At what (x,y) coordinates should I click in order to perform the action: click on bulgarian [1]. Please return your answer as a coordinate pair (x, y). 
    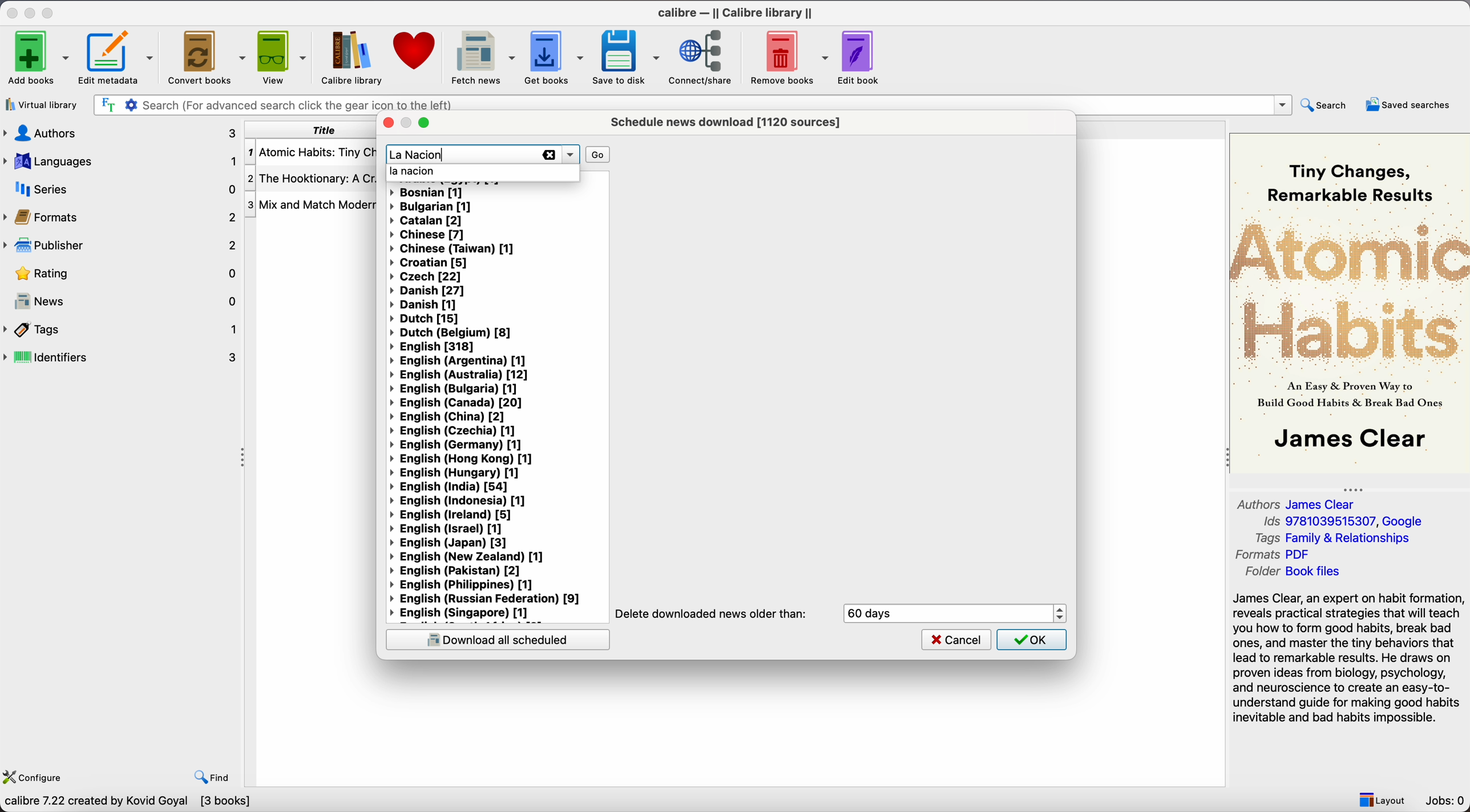
    Looking at the image, I should click on (432, 207).